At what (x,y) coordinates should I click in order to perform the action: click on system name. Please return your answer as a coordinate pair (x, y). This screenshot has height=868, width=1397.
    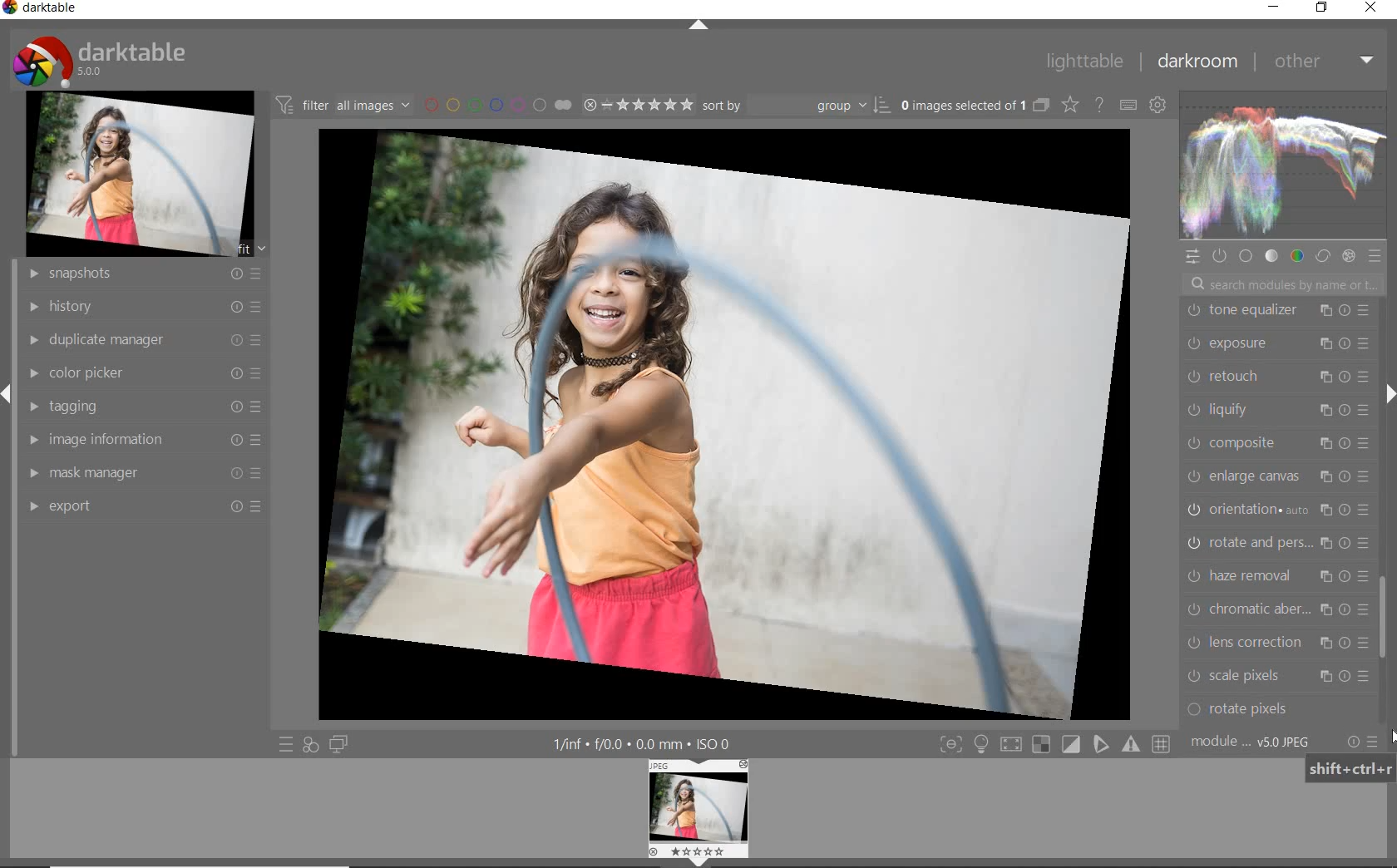
    Looking at the image, I should click on (42, 10).